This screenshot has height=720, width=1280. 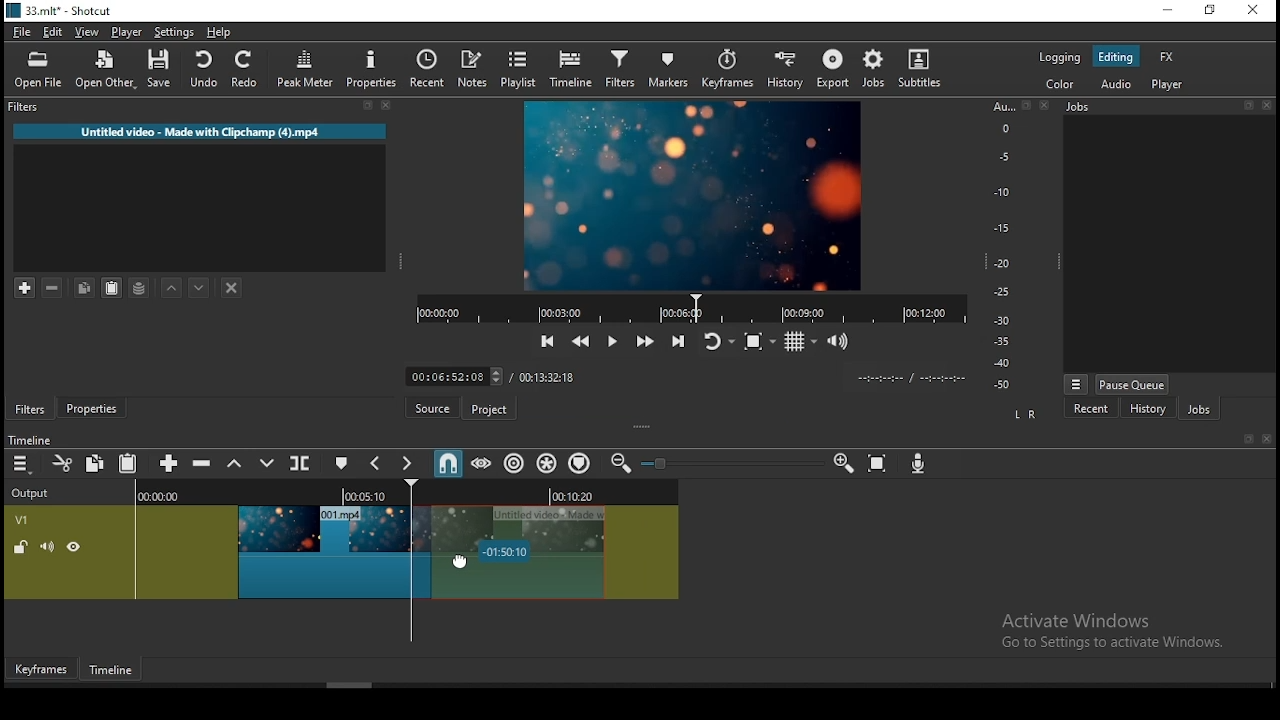 I want to click on add a filter, so click(x=21, y=288).